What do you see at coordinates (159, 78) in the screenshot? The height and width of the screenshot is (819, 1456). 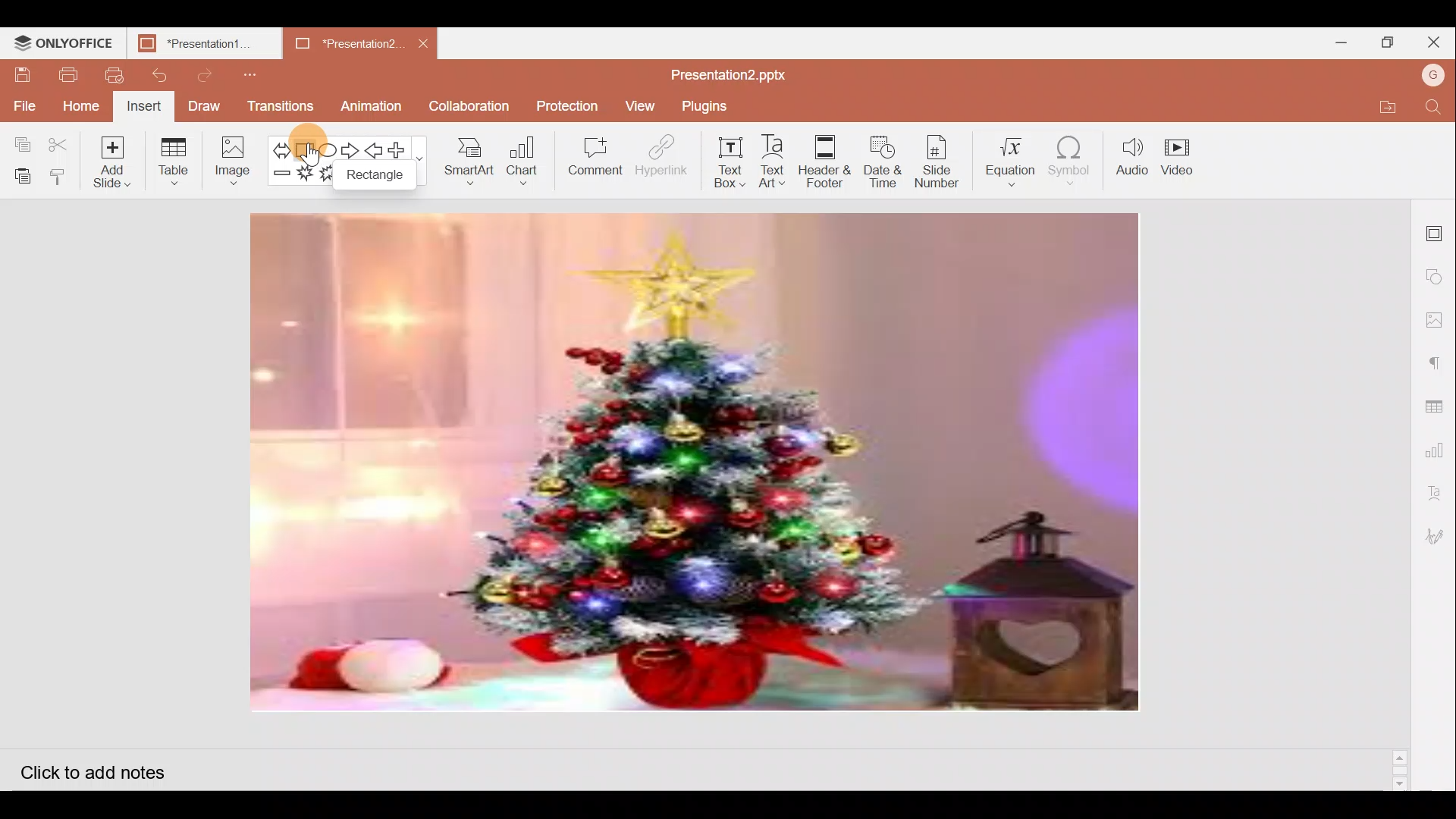 I see `Undo` at bounding box center [159, 78].